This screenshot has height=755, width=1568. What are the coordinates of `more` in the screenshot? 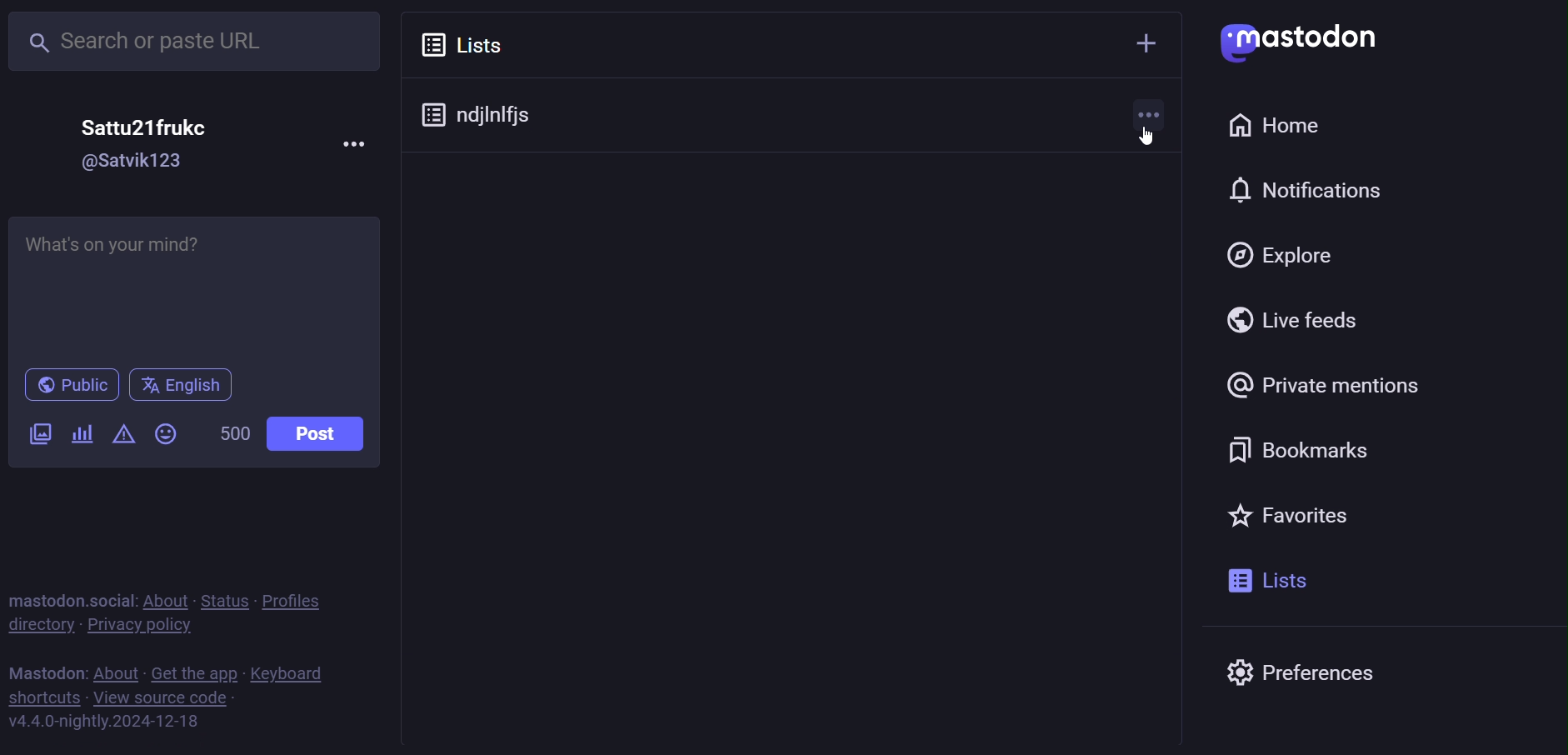 It's located at (351, 144).